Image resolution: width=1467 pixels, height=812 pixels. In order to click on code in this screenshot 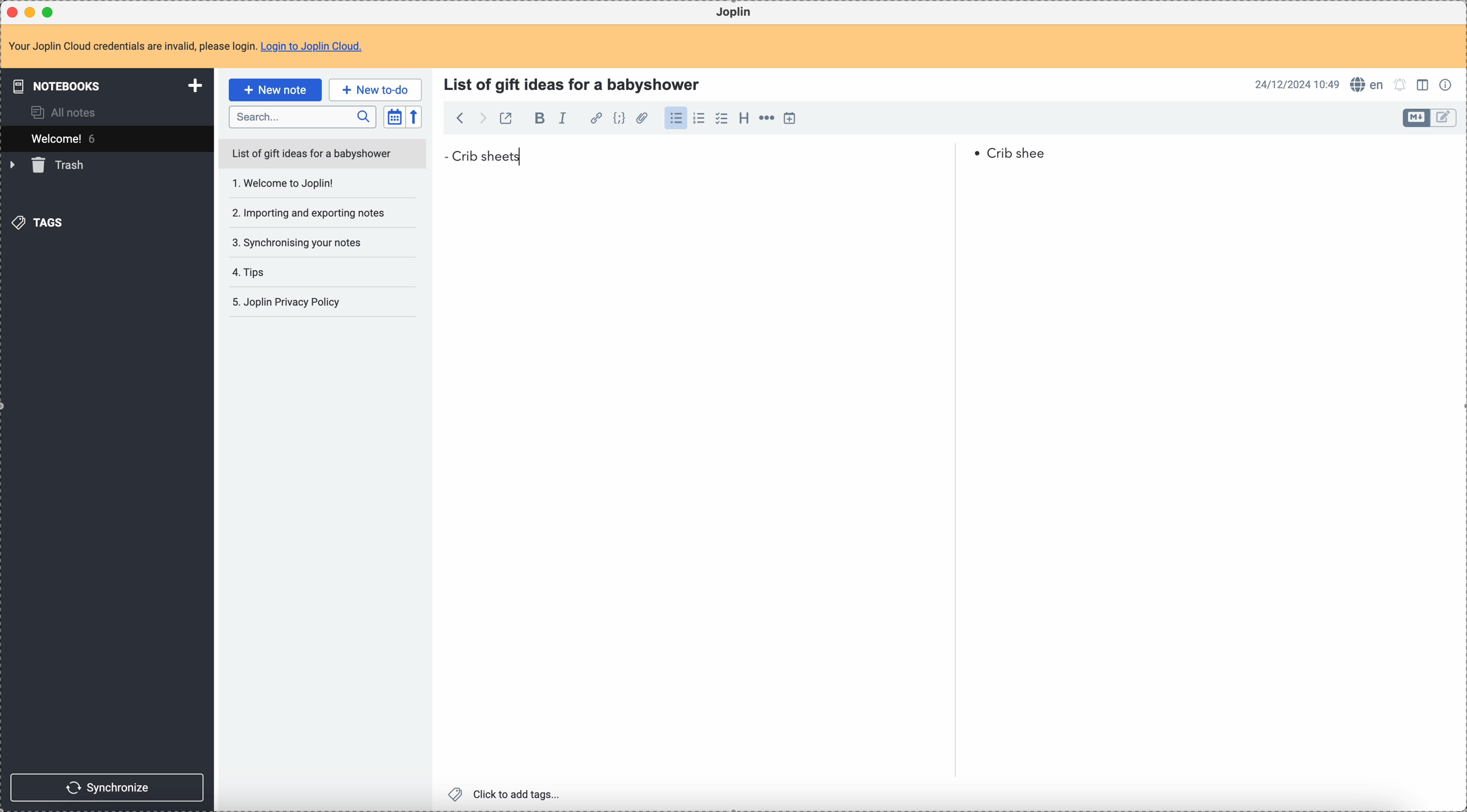, I will do `click(621, 119)`.